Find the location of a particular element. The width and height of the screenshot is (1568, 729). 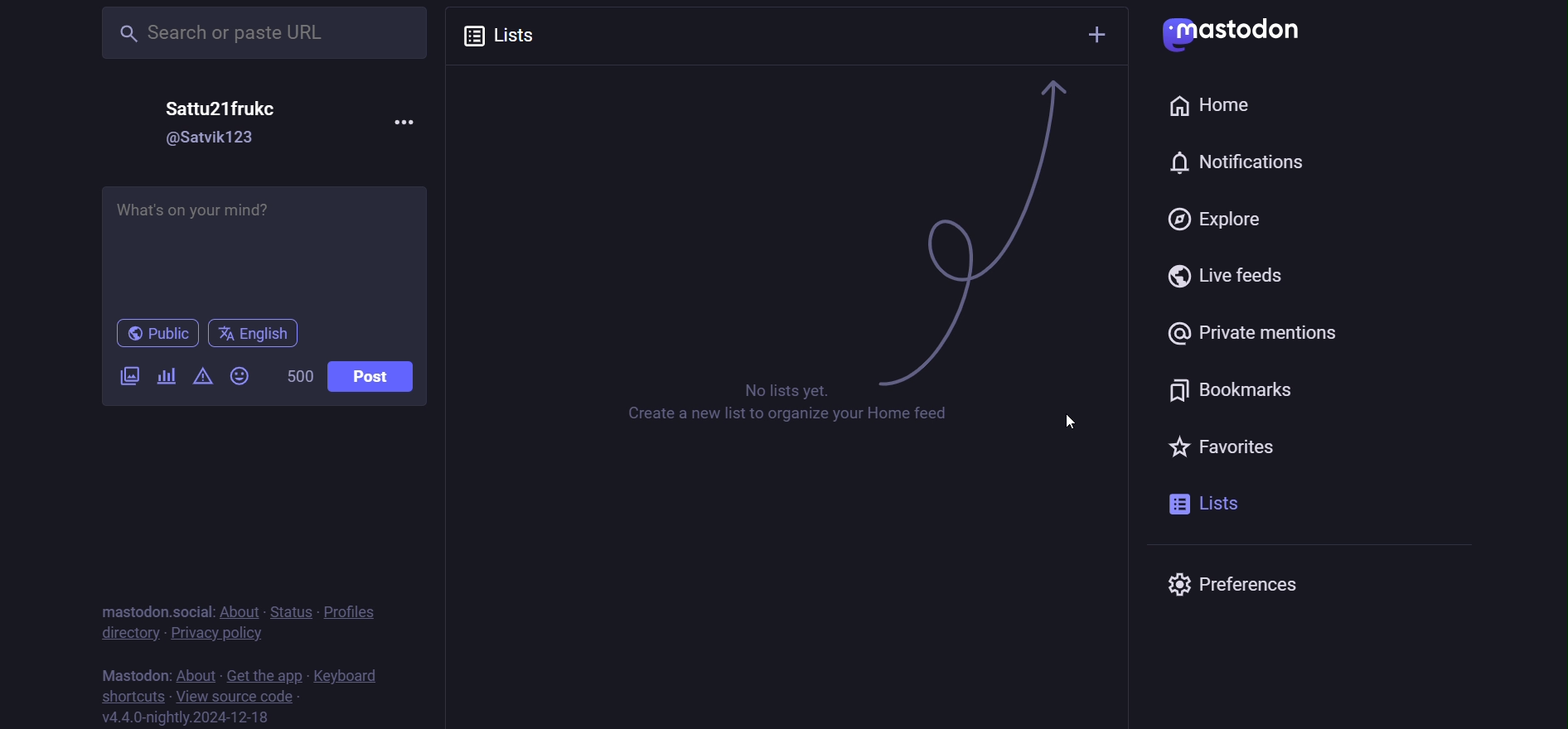

lists is located at coordinates (1205, 504).